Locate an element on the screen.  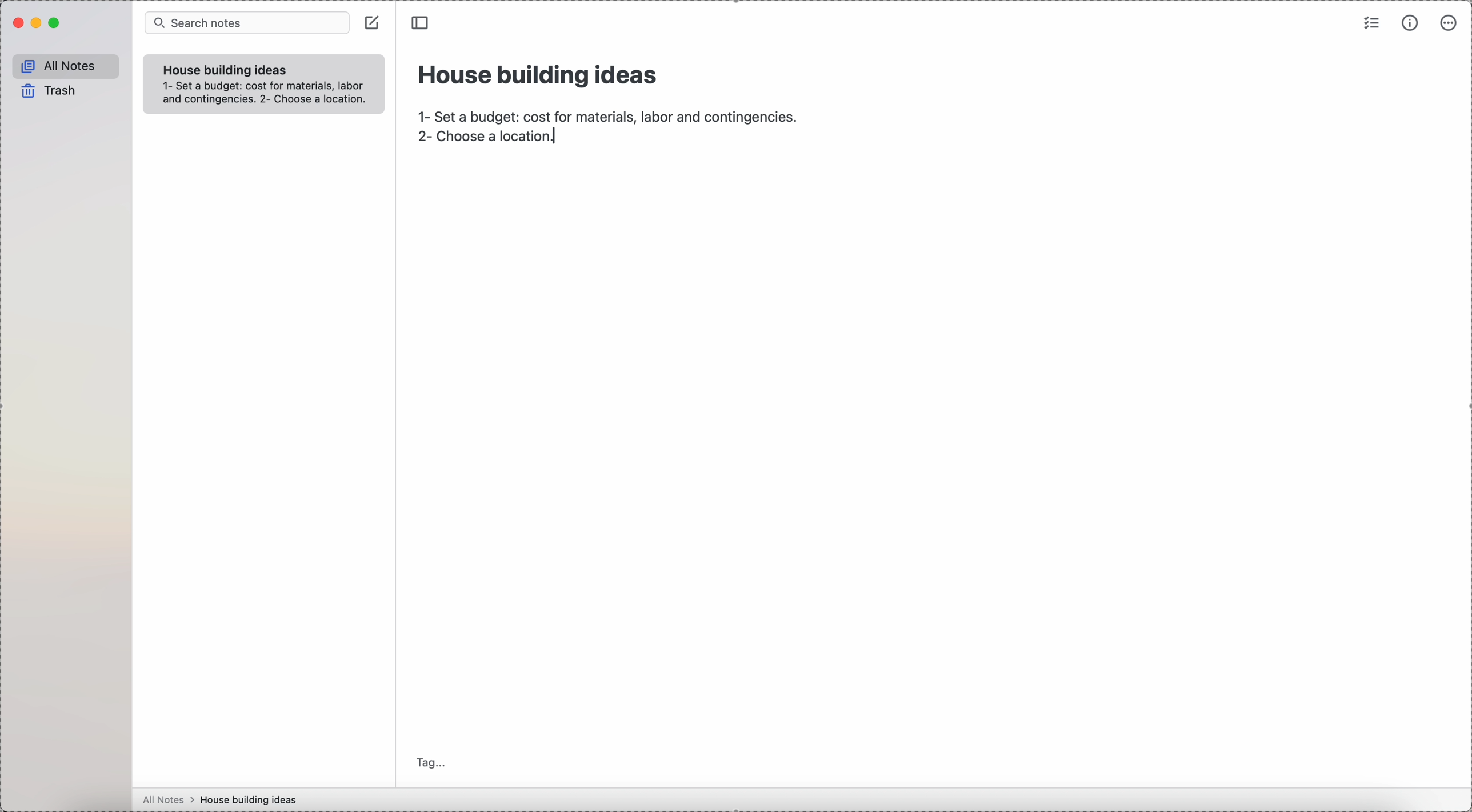
1-set a budget:cost for material,labor and contingencies is located at coordinates (606, 113).